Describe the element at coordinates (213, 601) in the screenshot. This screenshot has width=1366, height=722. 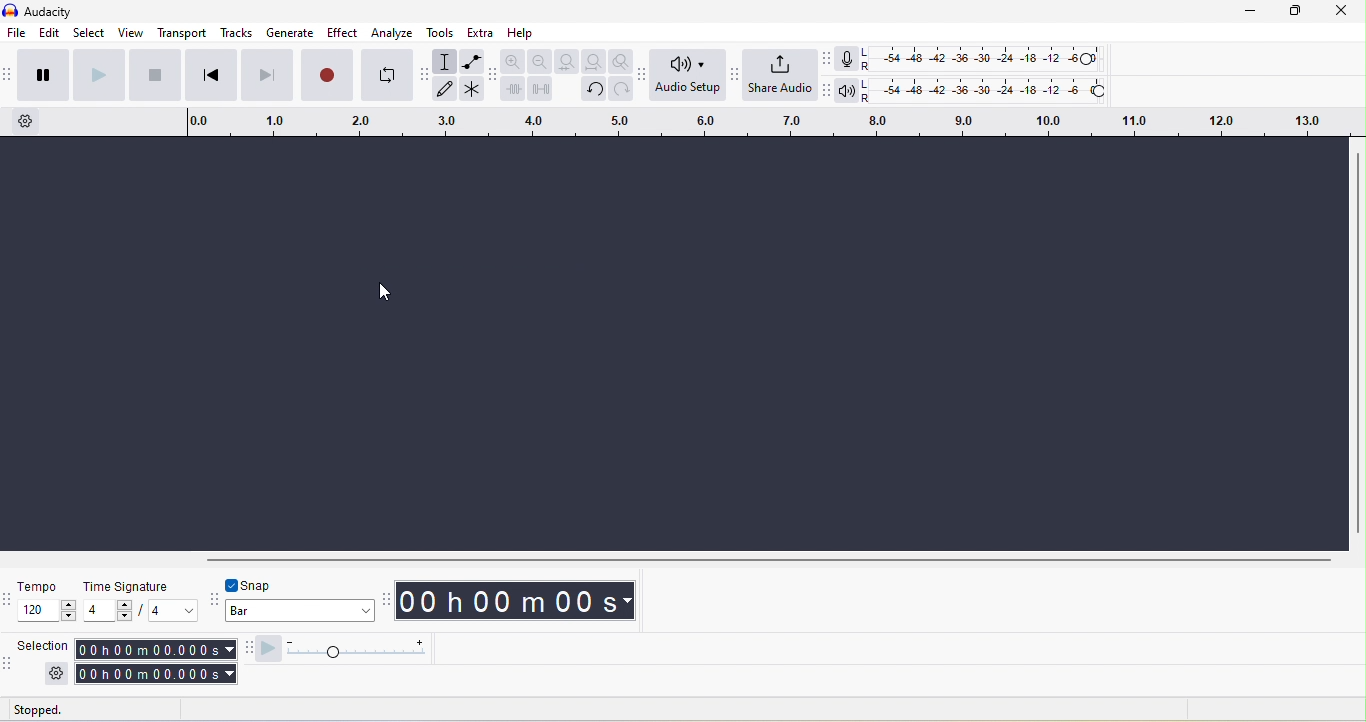
I see `snapping toolbar` at that location.